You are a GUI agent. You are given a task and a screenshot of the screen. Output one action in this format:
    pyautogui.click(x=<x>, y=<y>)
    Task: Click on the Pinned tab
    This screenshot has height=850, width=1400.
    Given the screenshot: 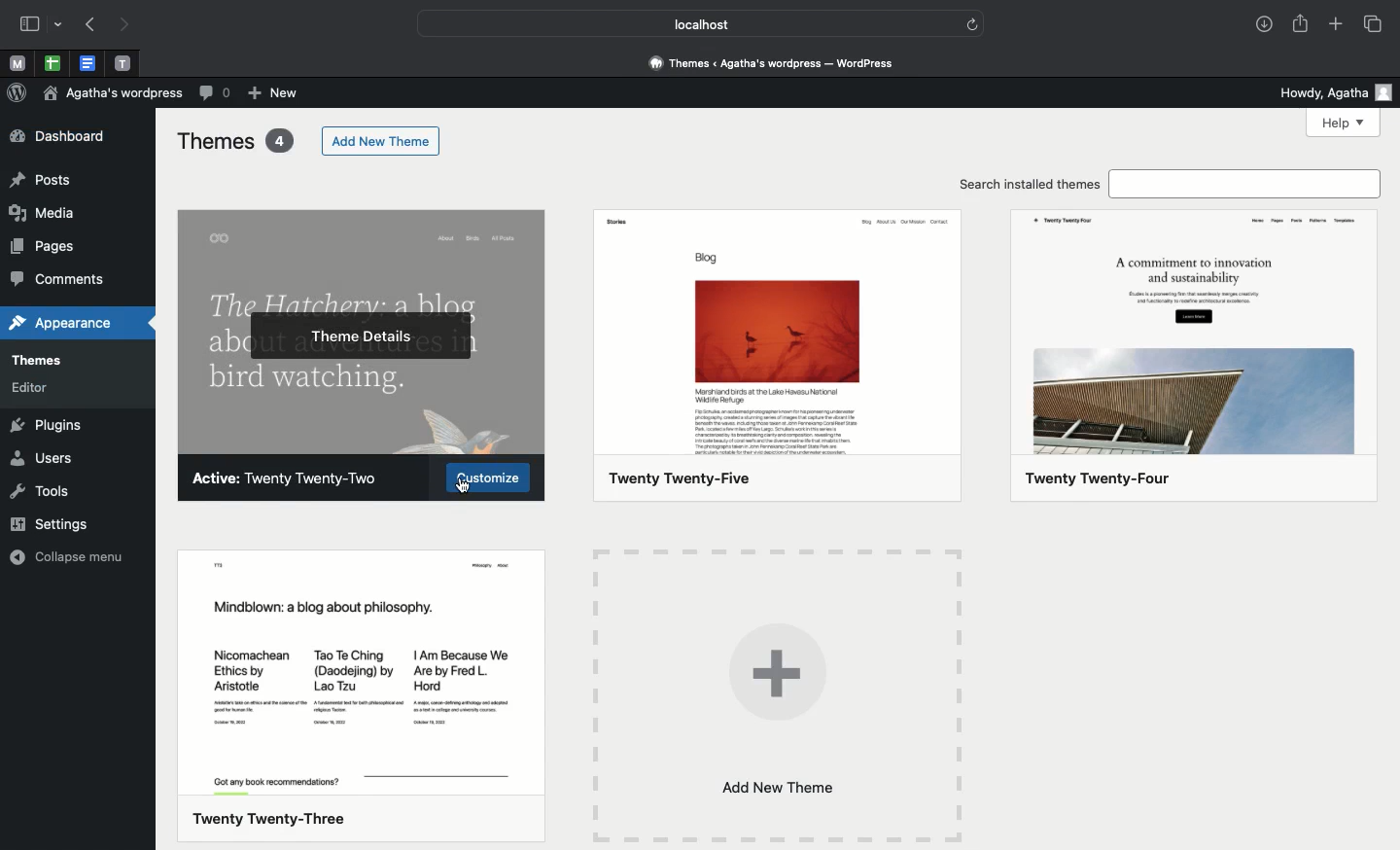 What is the action you would take?
    pyautogui.click(x=89, y=64)
    